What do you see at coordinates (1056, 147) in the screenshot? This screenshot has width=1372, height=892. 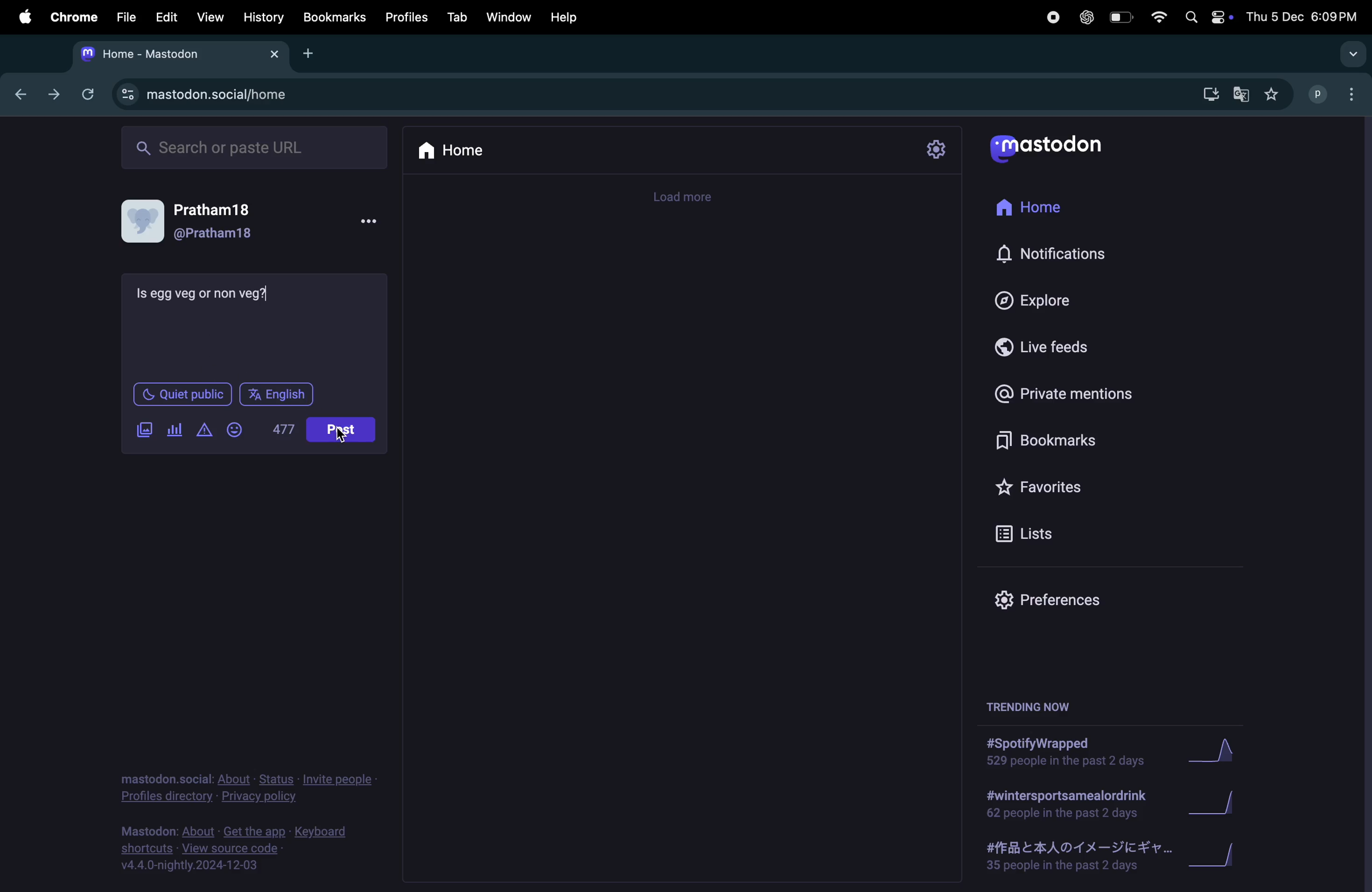 I see `mastodon` at bounding box center [1056, 147].